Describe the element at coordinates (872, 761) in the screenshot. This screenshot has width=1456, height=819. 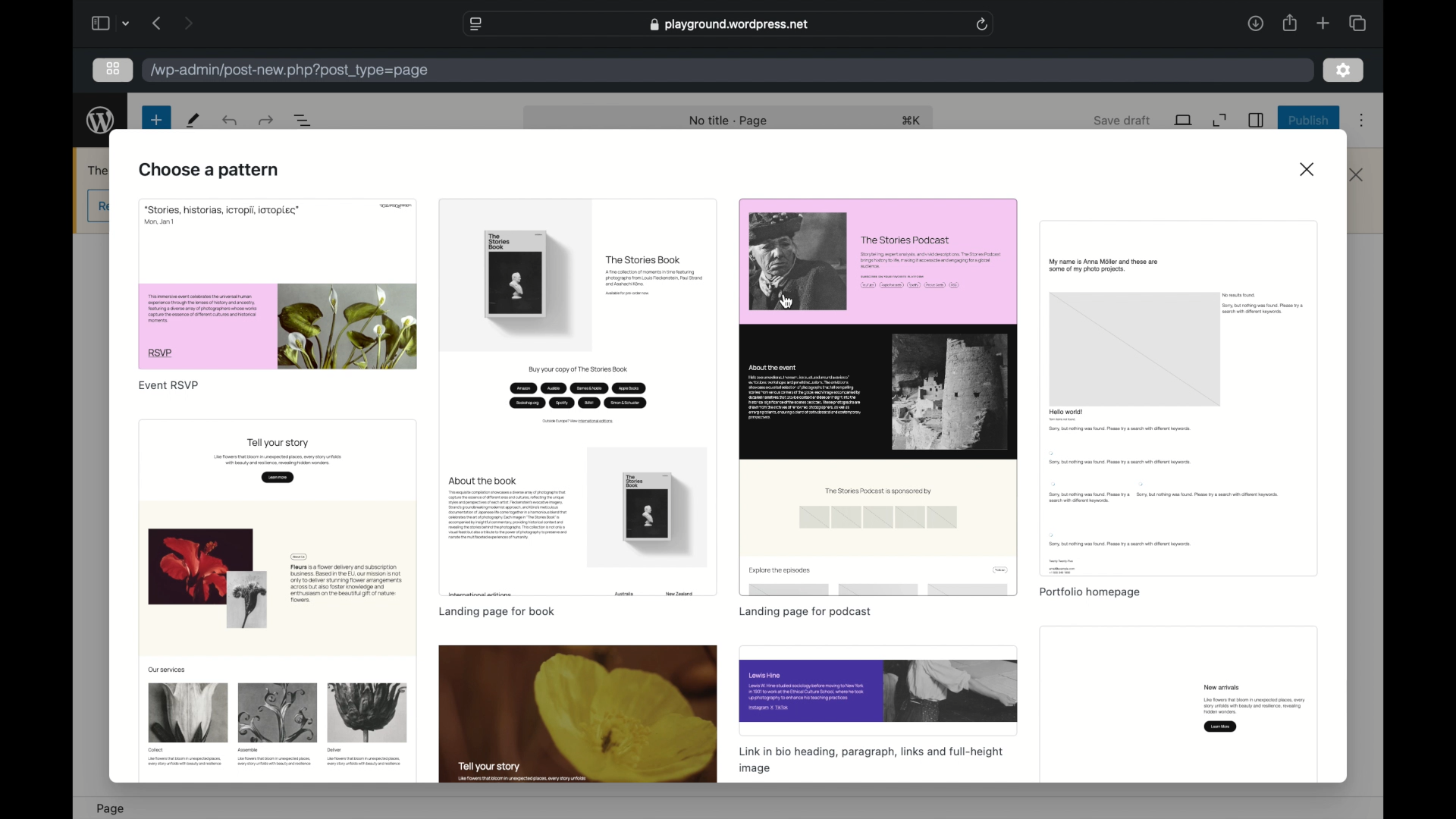
I see `link in bio, heading, paragraph, links and full-height image` at that location.